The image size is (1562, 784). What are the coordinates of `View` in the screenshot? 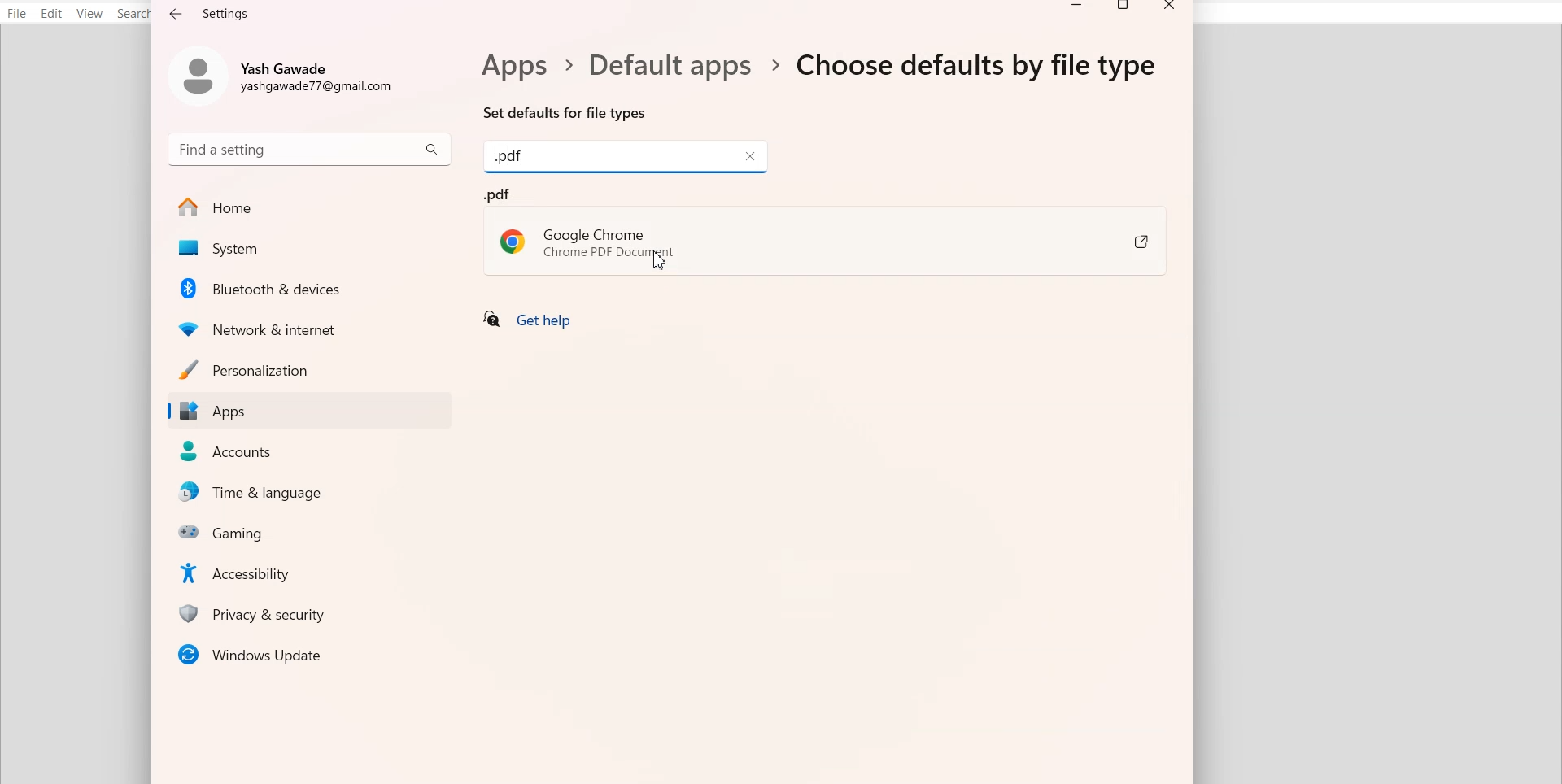 It's located at (89, 14).